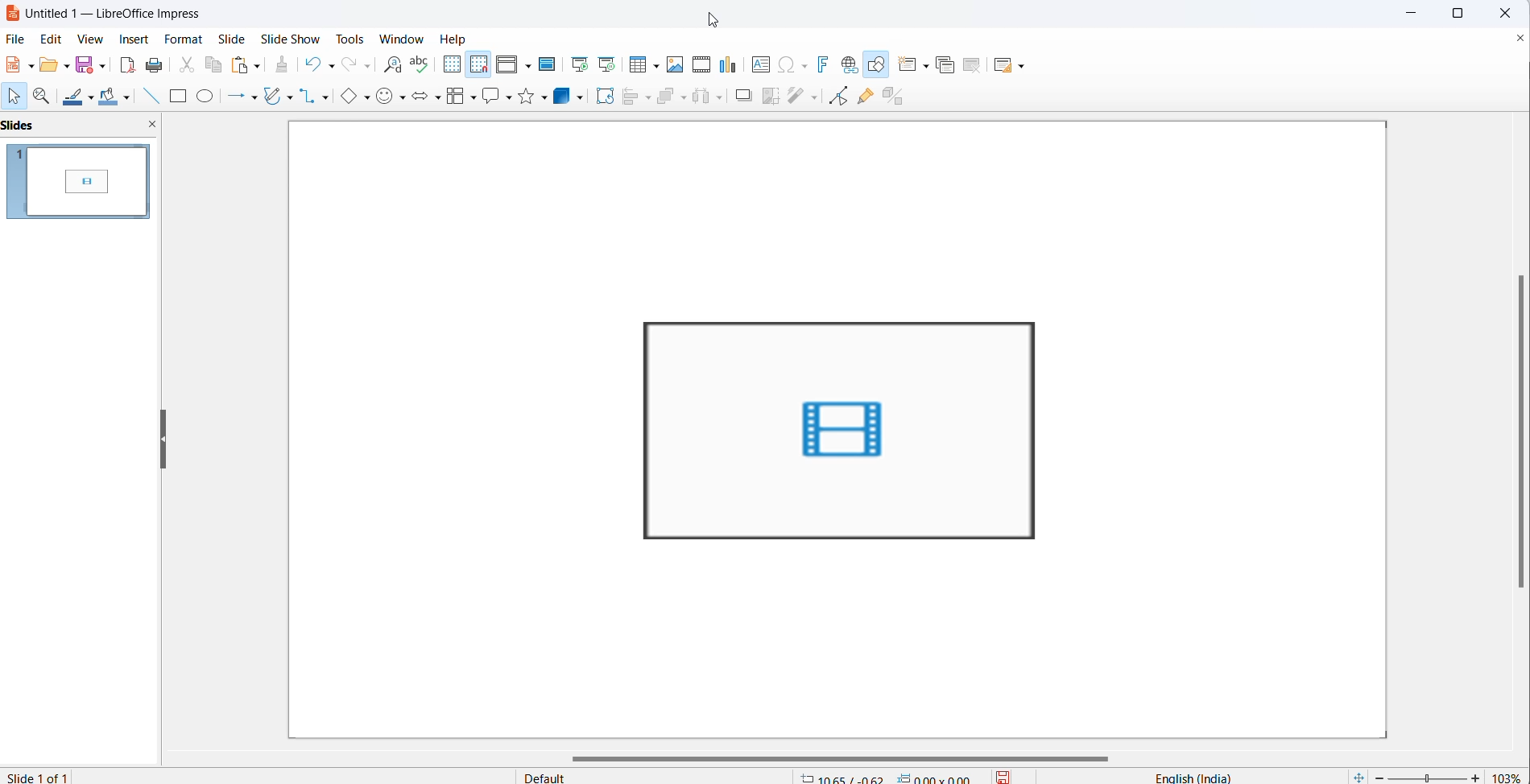 Image resolution: width=1530 pixels, height=784 pixels. What do you see at coordinates (1461, 15) in the screenshot?
I see `maximize` at bounding box center [1461, 15].